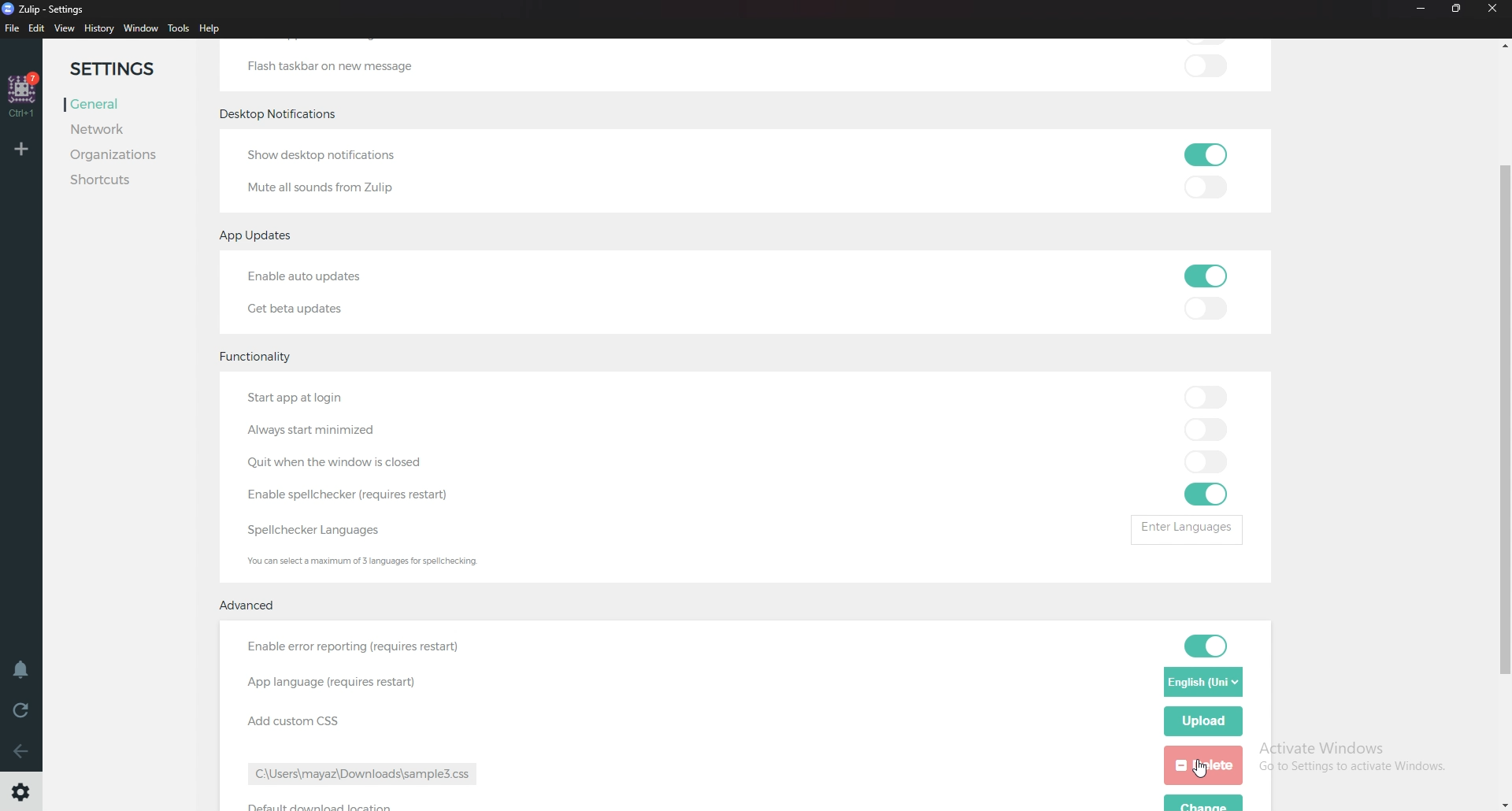 The width and height of the screenshot is (1512, 811). Describe the element at coordinates (1206, 65) in the screenshot. I see `toggle` at that location.